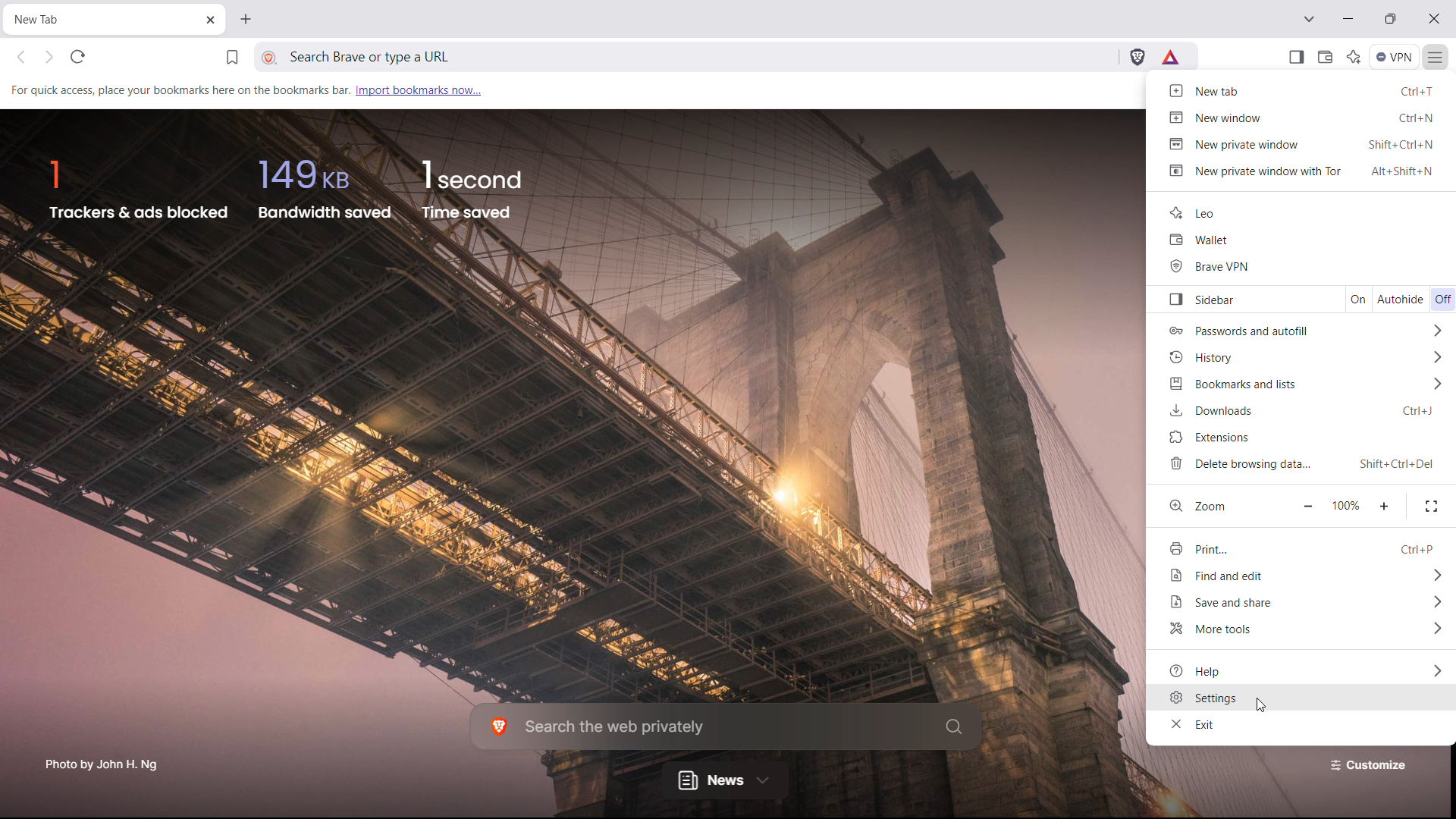 Image resolution: width=1456 pixels, height=819 pixels. I want to click on view site information, so click(268, 57).